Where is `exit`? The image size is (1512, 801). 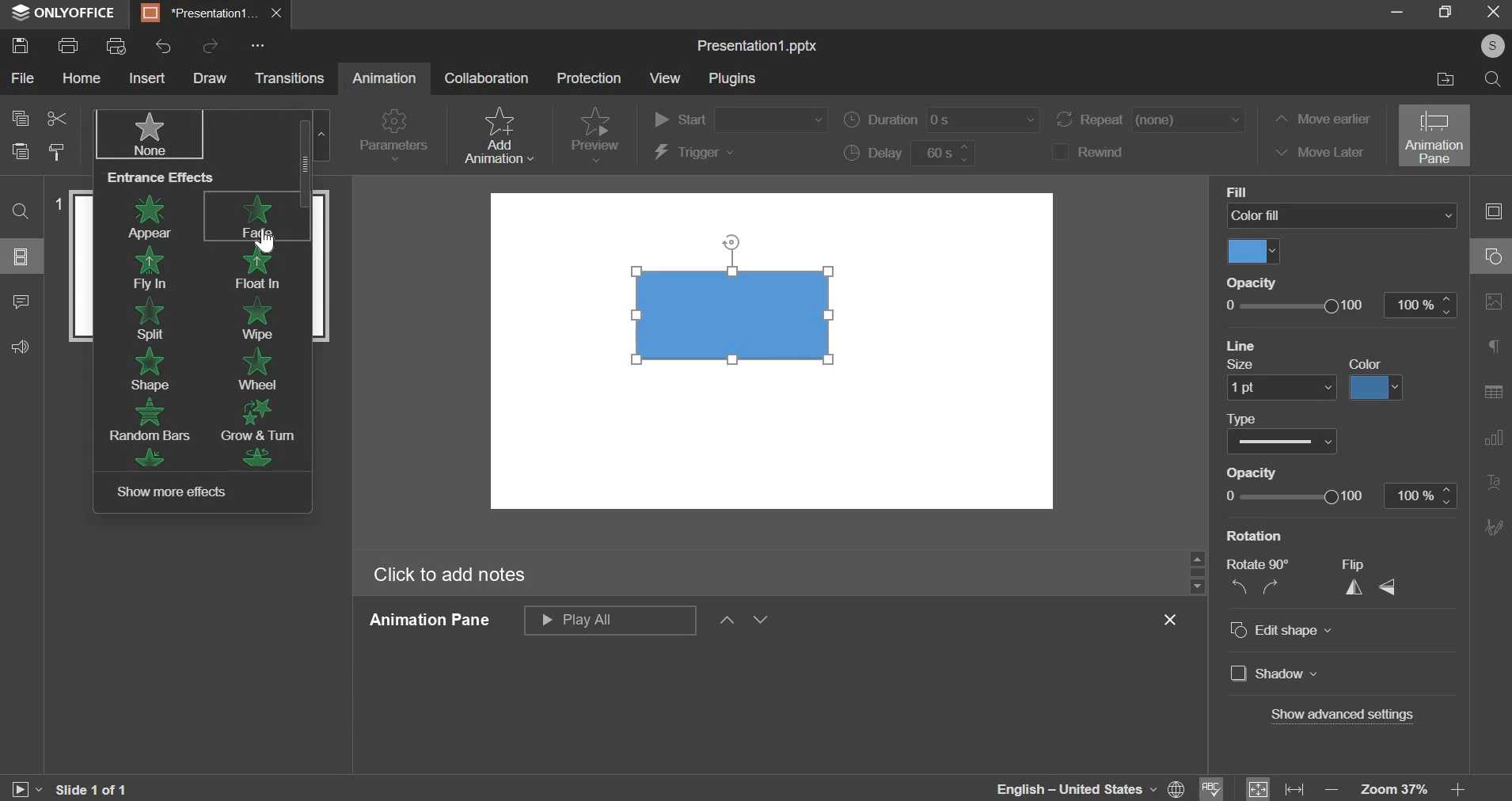
exit is located at coordinates (1491, 13).